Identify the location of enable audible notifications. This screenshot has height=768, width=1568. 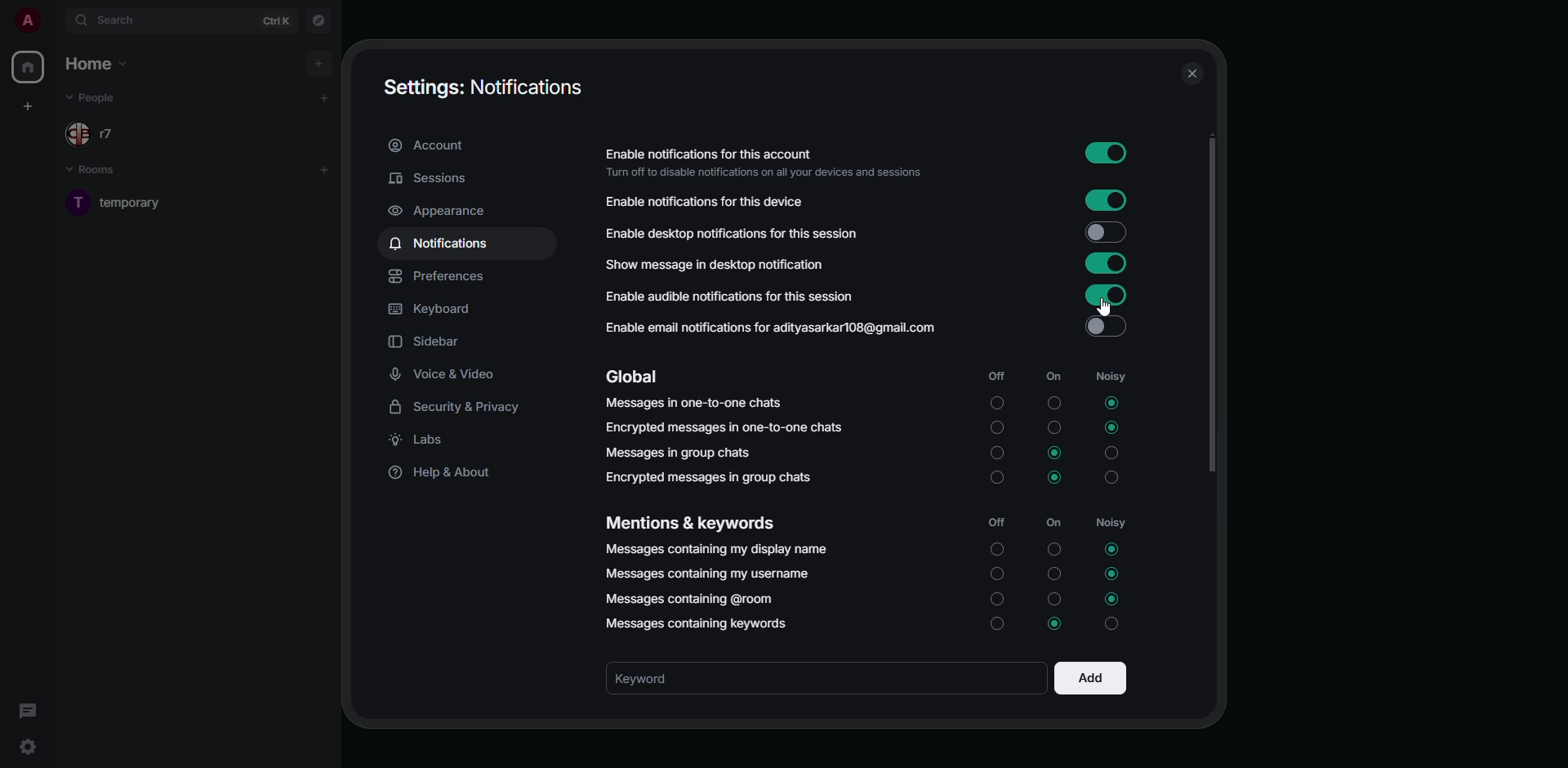
(736, 299).